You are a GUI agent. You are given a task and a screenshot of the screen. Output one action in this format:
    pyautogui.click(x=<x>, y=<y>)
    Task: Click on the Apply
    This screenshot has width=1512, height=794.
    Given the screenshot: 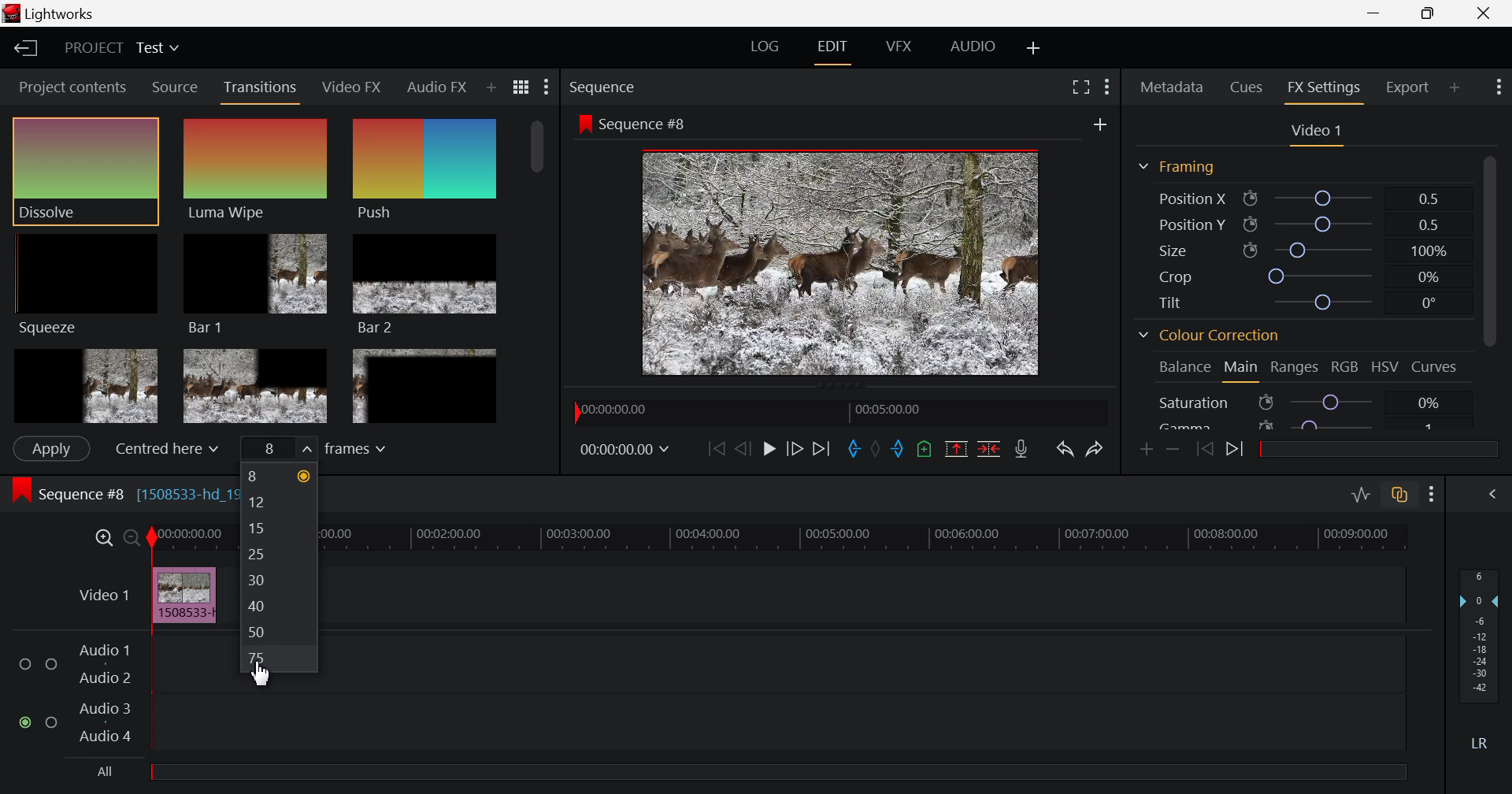 What is the action you would take?
    pyautogui.click(x=49, y=450)
    